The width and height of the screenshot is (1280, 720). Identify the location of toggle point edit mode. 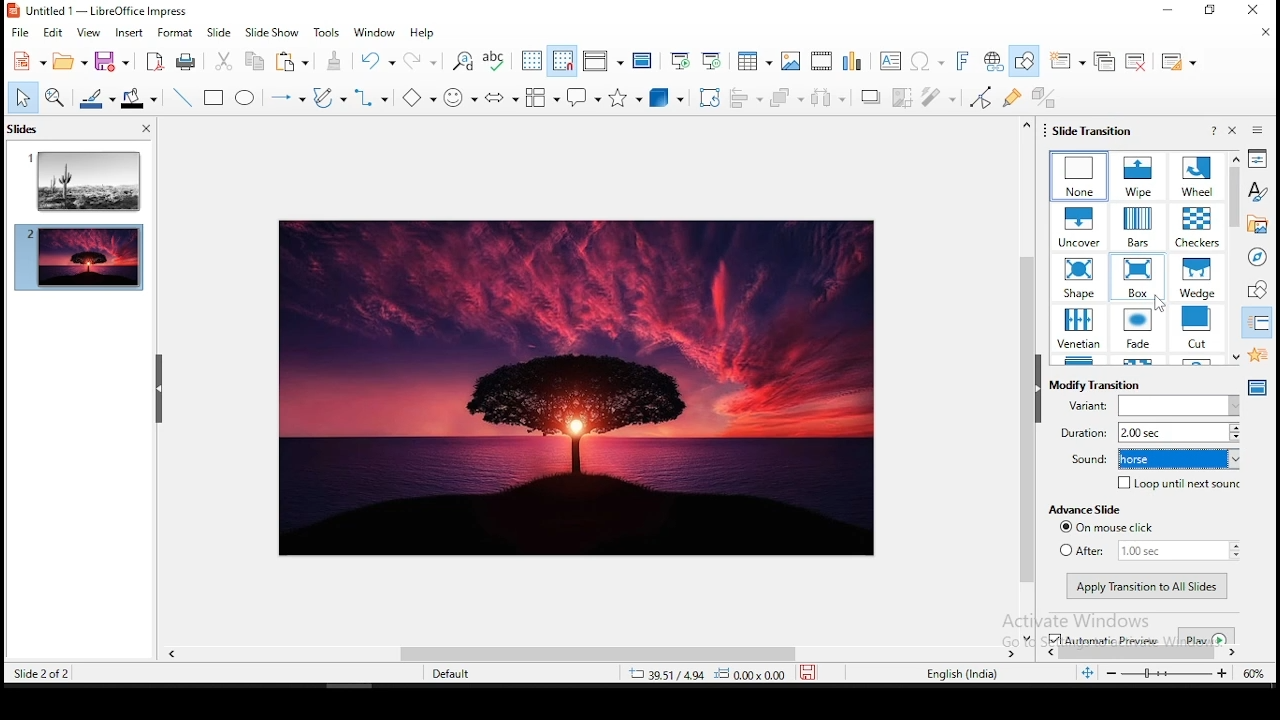
(979, 97).